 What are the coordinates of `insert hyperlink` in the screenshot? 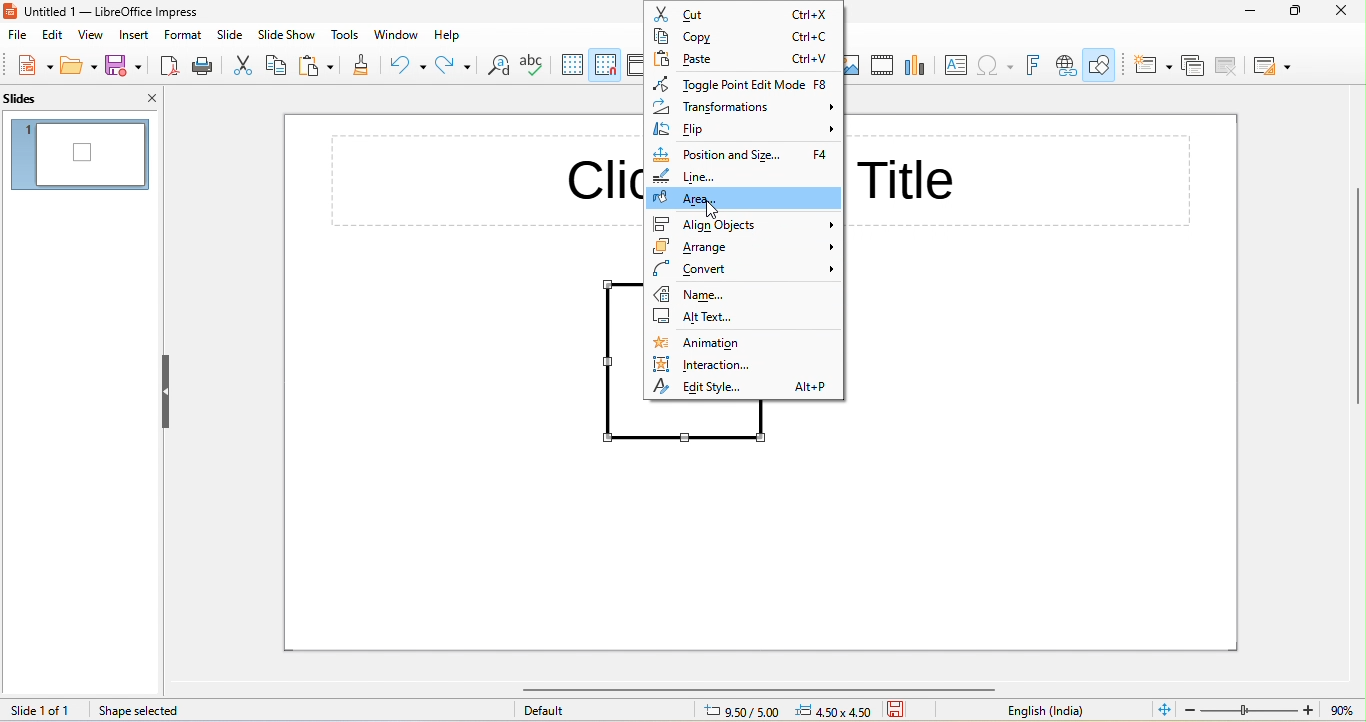 It's located at (1064, 66).